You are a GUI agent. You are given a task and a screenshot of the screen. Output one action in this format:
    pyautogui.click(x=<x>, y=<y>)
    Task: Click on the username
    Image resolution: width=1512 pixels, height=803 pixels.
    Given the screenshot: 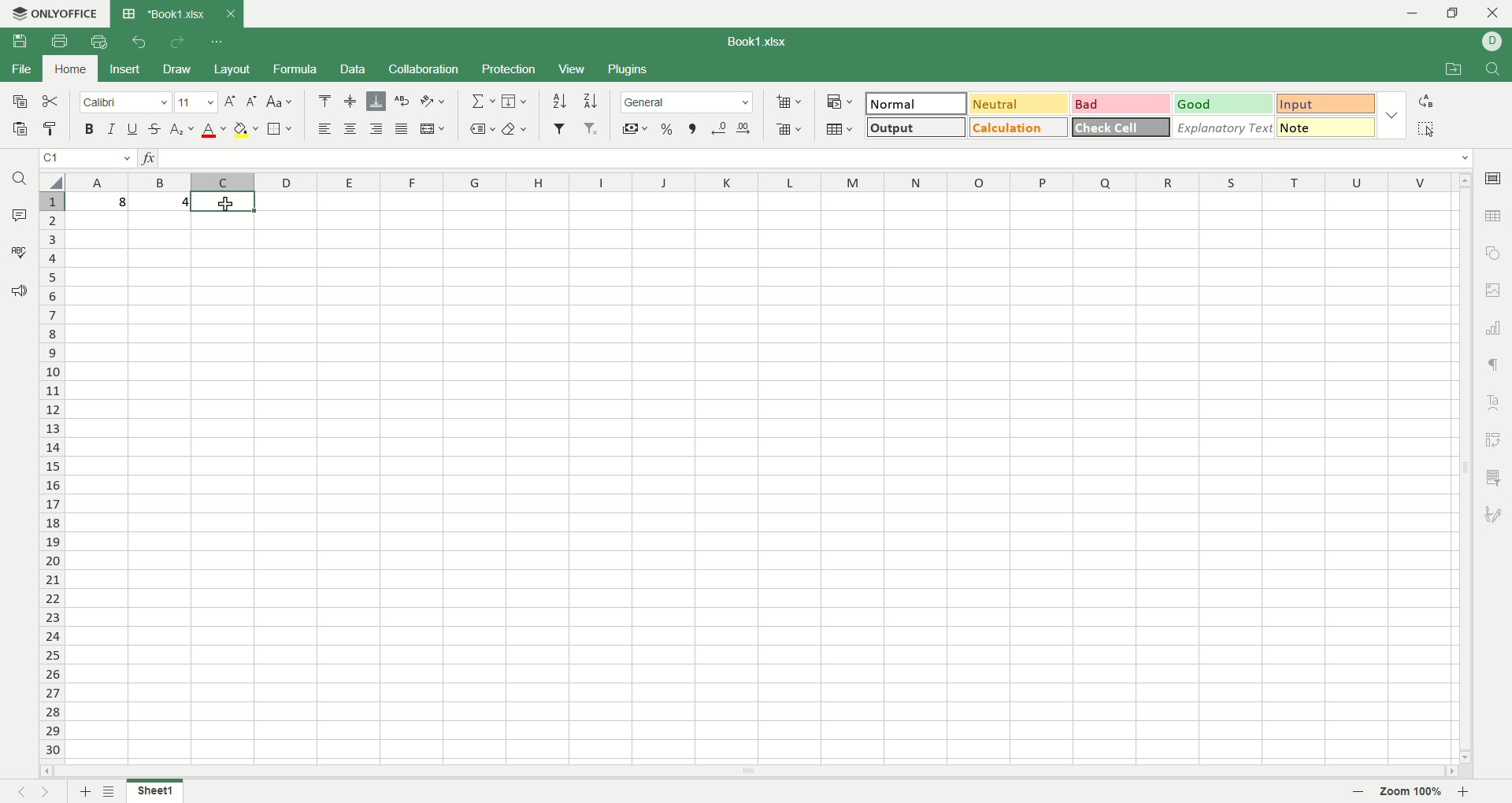 What is the action you would take?
    pyautogui.click(x=1492, y=42)
    